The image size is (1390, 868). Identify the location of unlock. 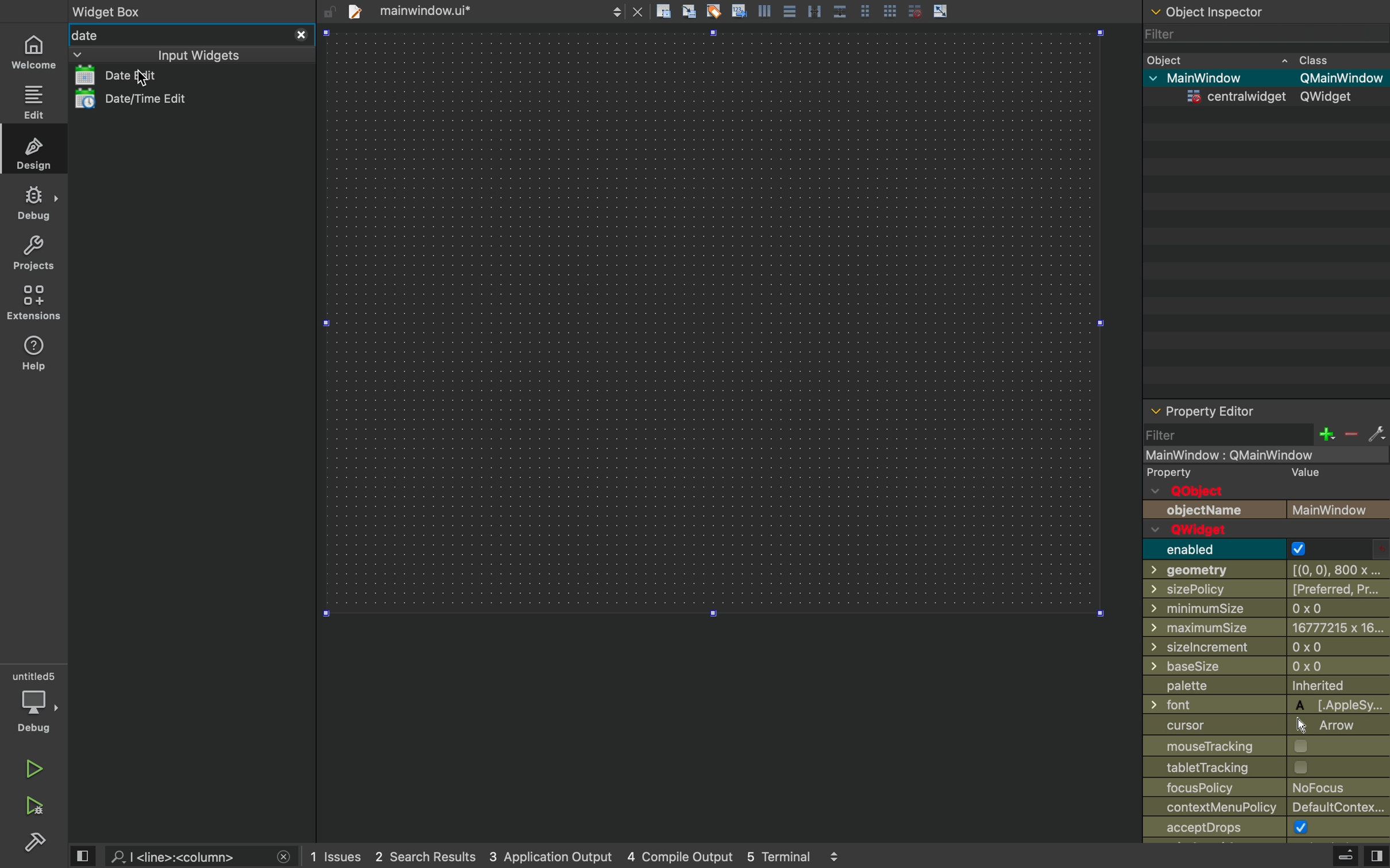
(330, 13).